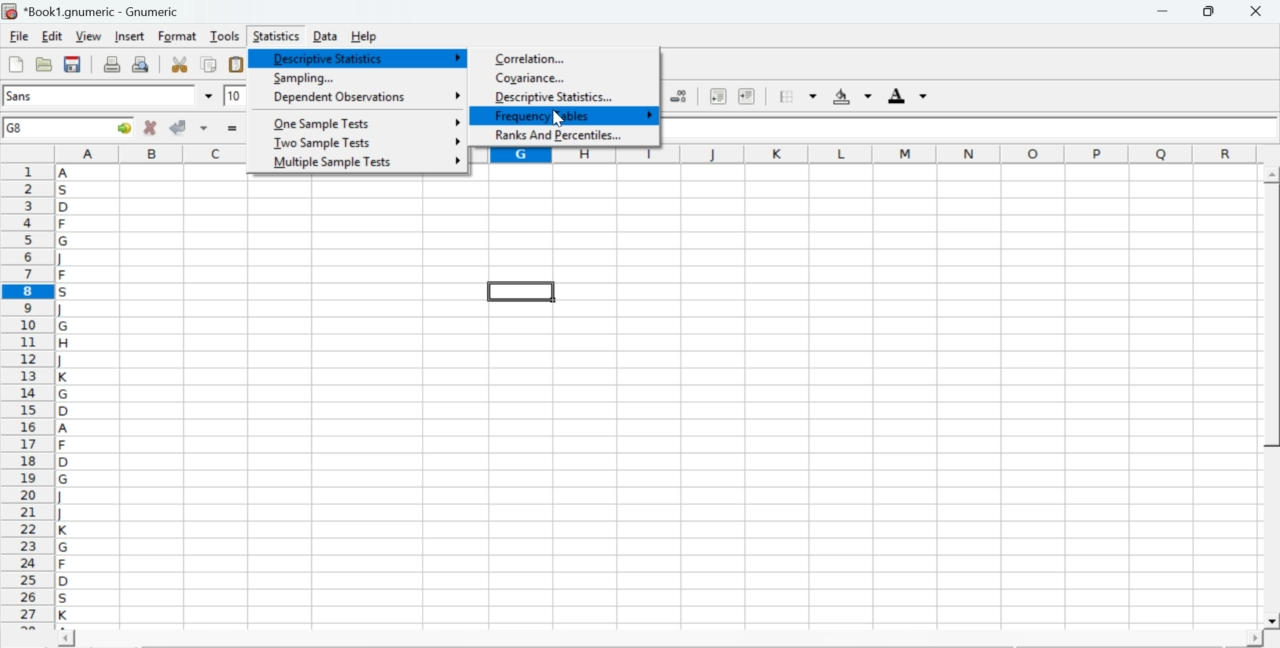  Describe the element at coordinates (327, 35) in the screenshot. I see `data` at that location.